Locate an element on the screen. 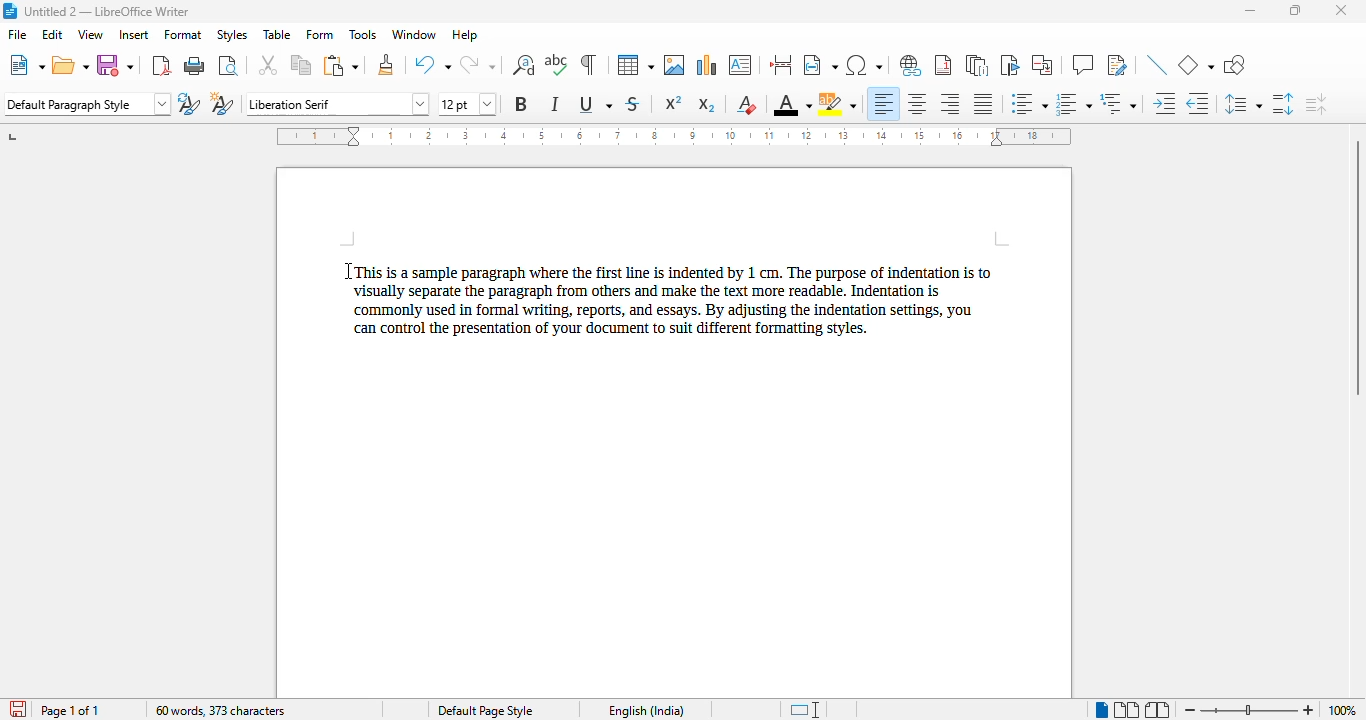 Image resolution: width=1366 pixels, height=720 pixels. clone formatting is located at coordinates (387, 65).